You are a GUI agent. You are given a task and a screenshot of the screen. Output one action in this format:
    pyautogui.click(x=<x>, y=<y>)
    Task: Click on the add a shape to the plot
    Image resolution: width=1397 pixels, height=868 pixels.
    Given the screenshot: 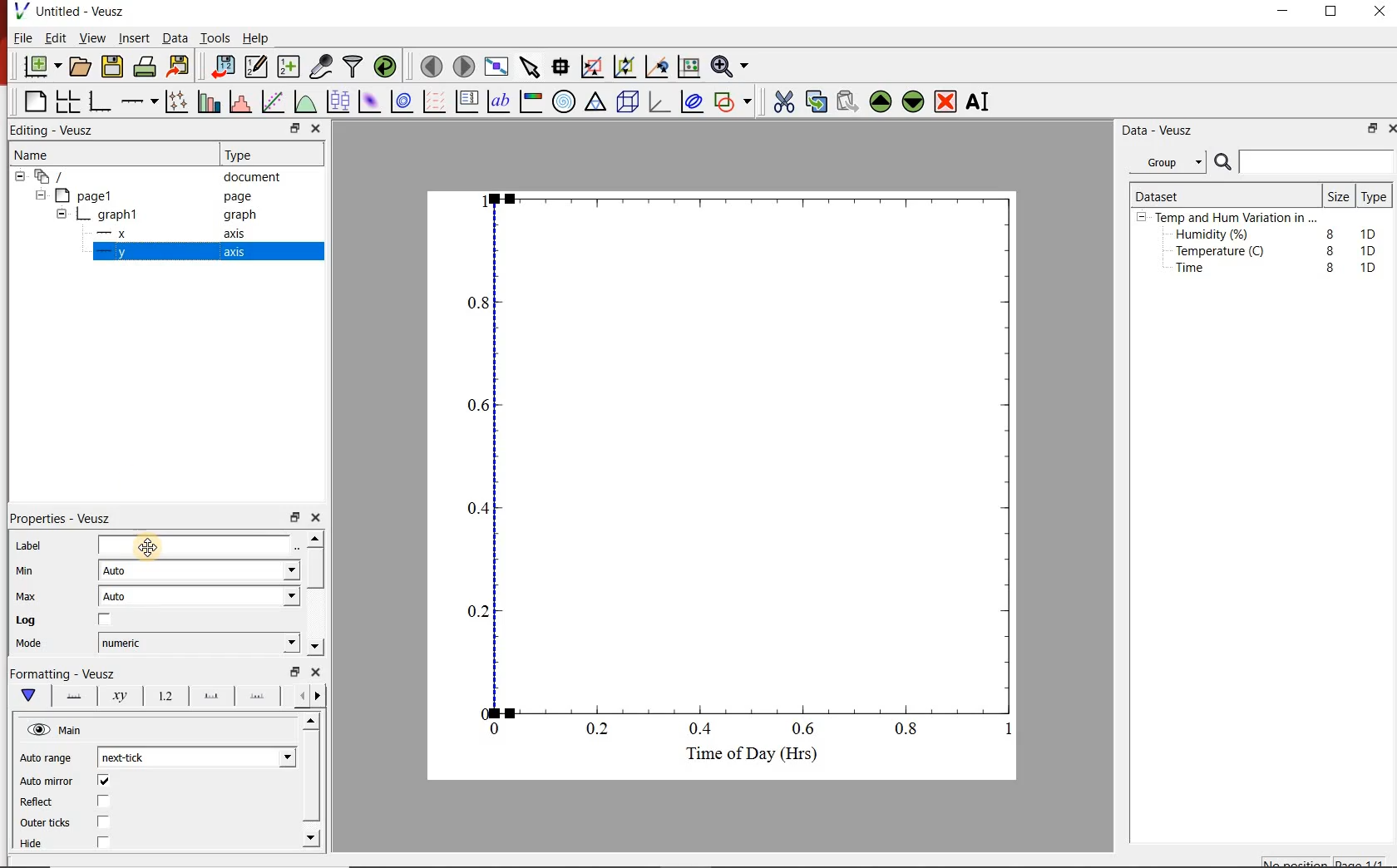 What is the action you would take?
    pyautogui.click(x=737, y=104)
    